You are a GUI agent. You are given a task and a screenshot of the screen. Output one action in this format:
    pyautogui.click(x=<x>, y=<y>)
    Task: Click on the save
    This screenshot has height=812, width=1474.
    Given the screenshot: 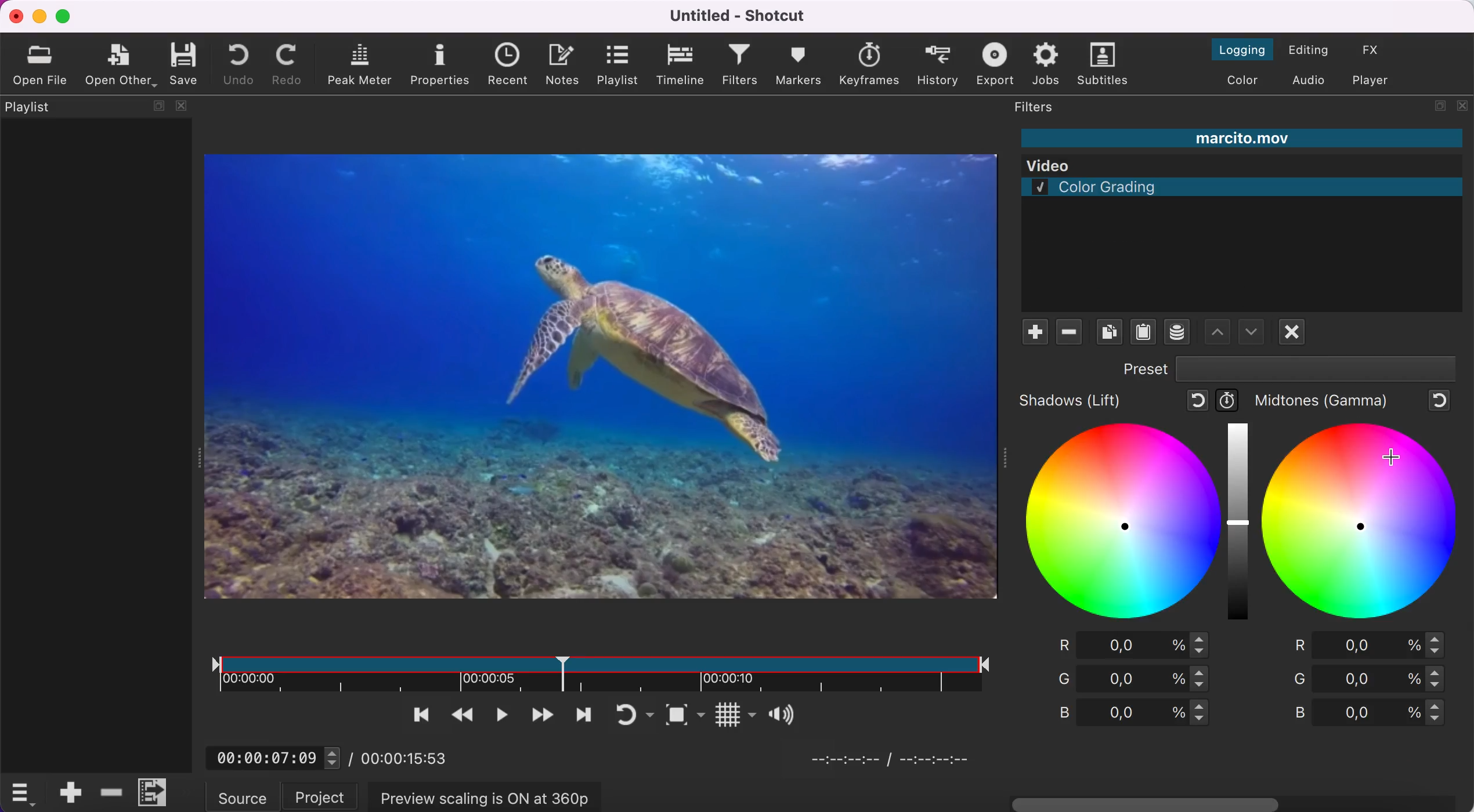 What is the action you would take?
    pyautogui.click(x=188, y=64)
    